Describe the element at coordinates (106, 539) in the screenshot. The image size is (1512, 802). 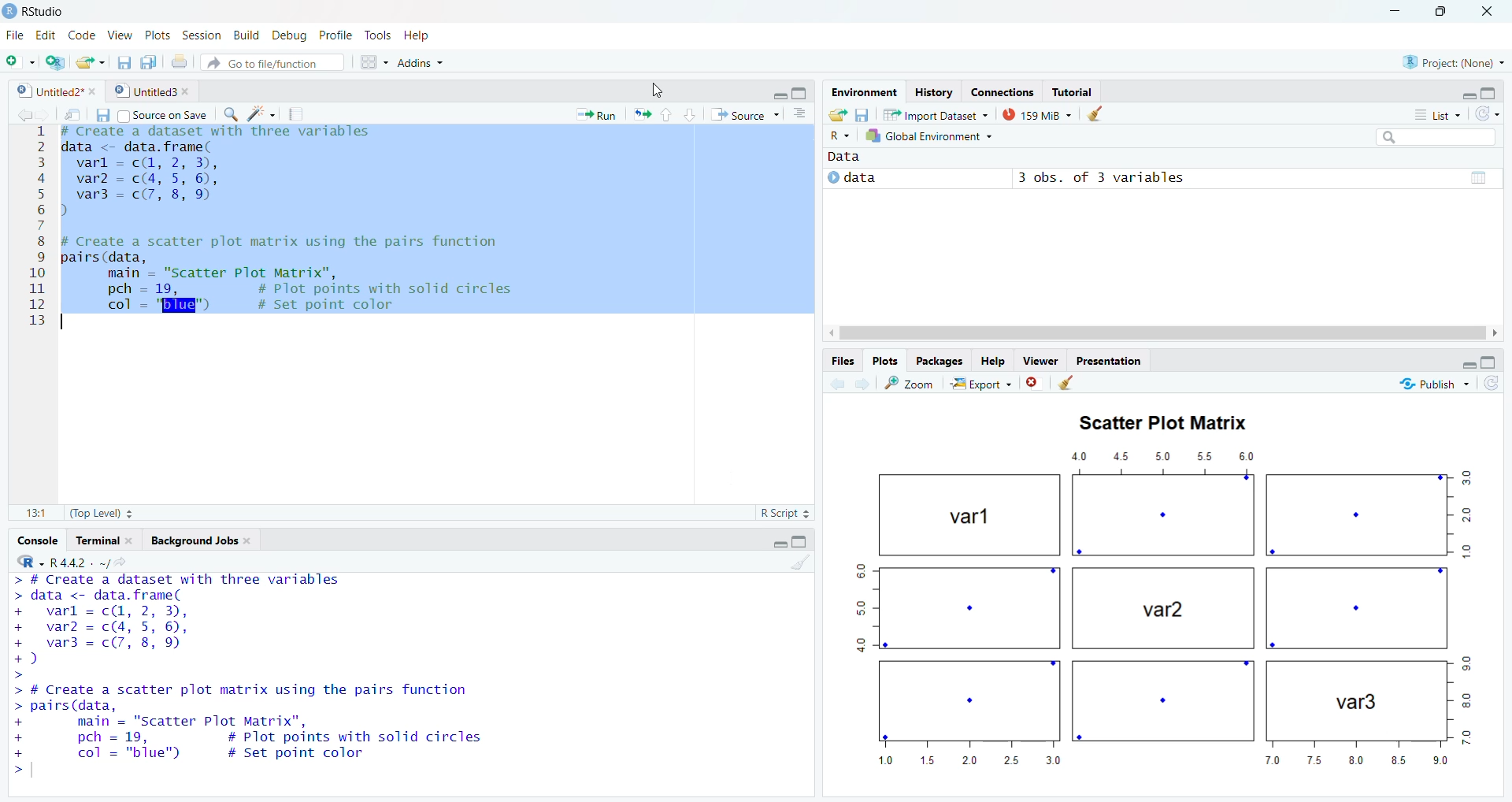
I see `Terminal` at that location.